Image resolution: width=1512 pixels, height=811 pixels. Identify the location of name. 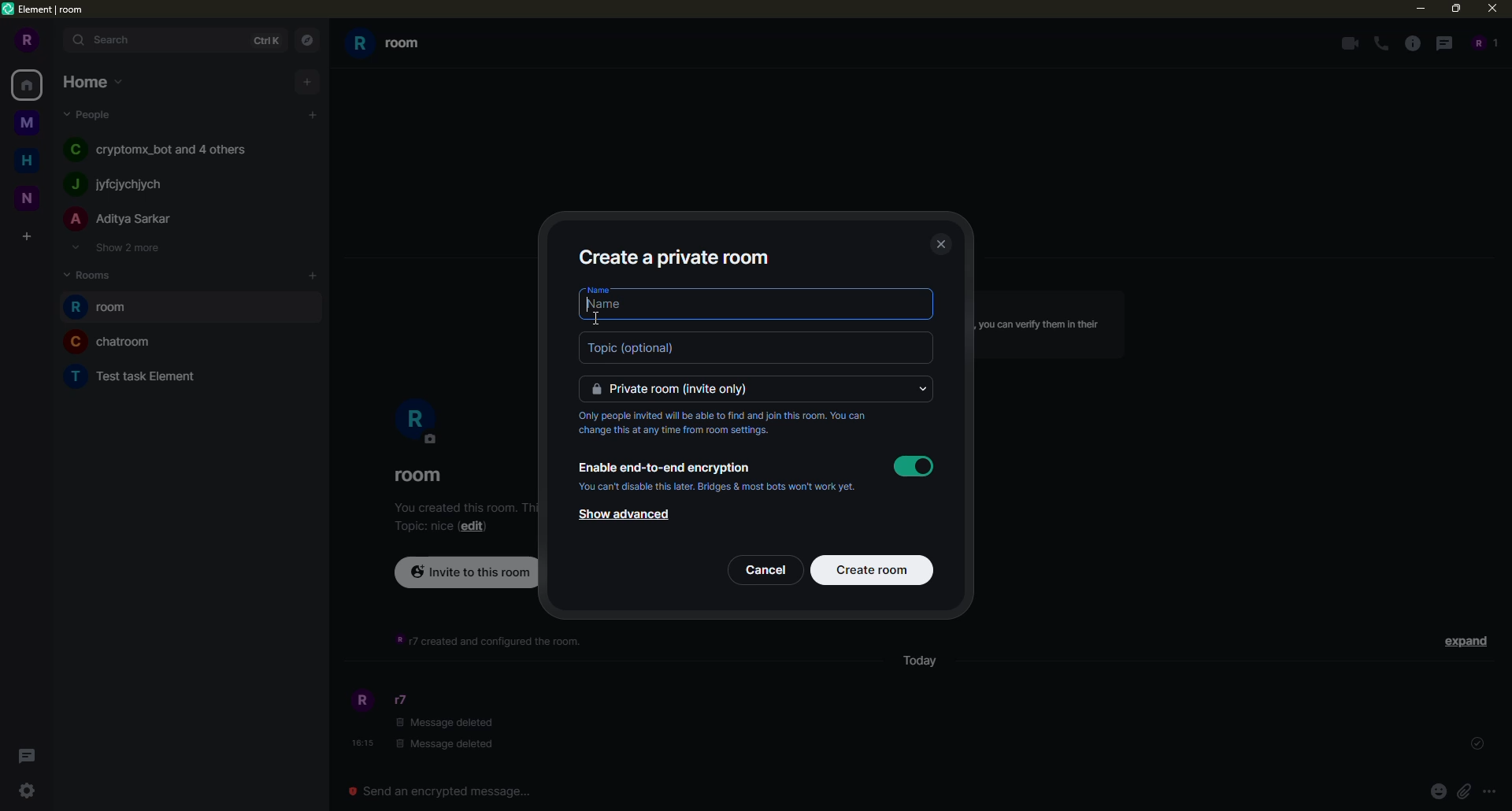
(759, 309).